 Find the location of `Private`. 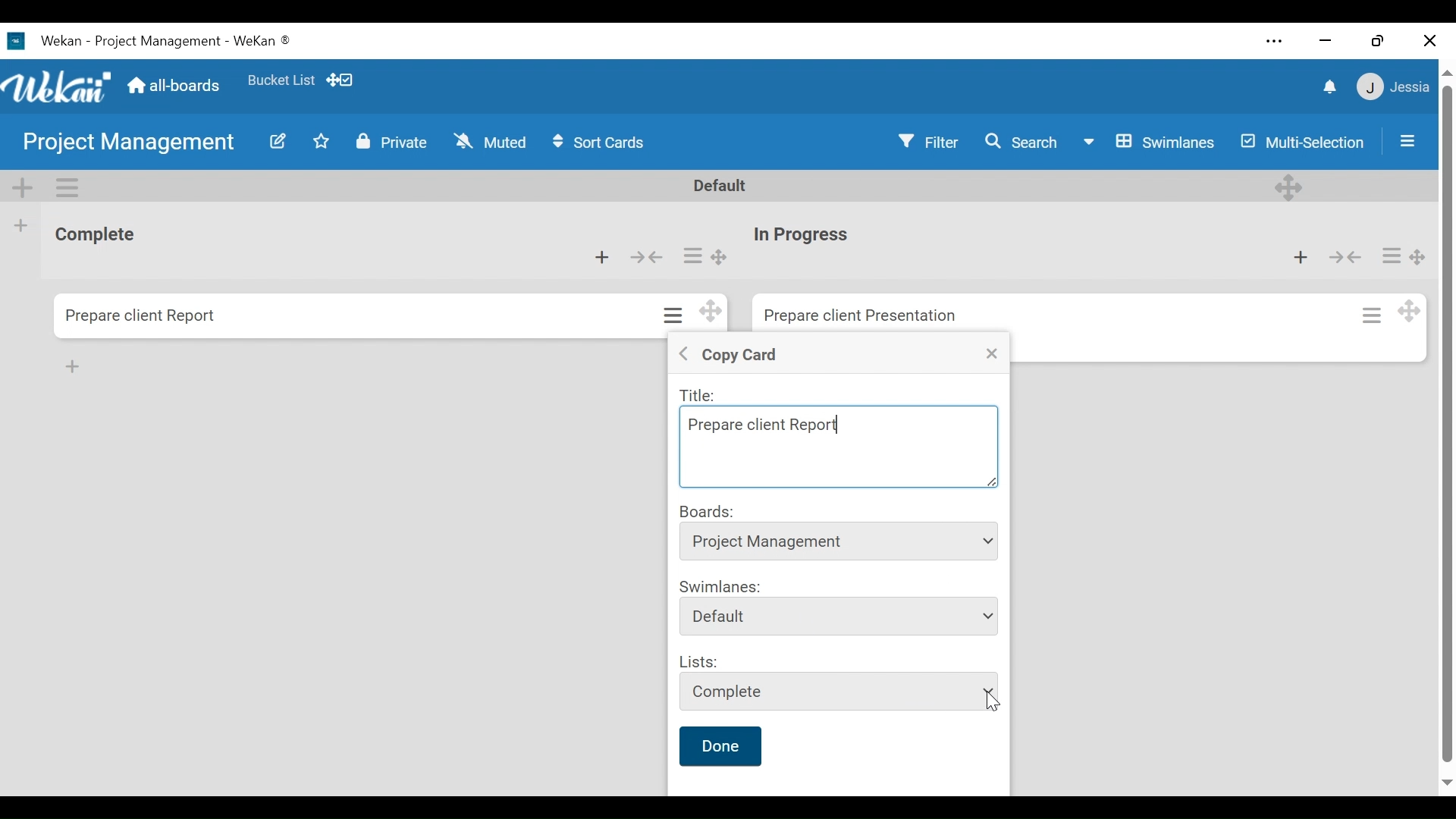

Private is located at coordinates (394, 143).